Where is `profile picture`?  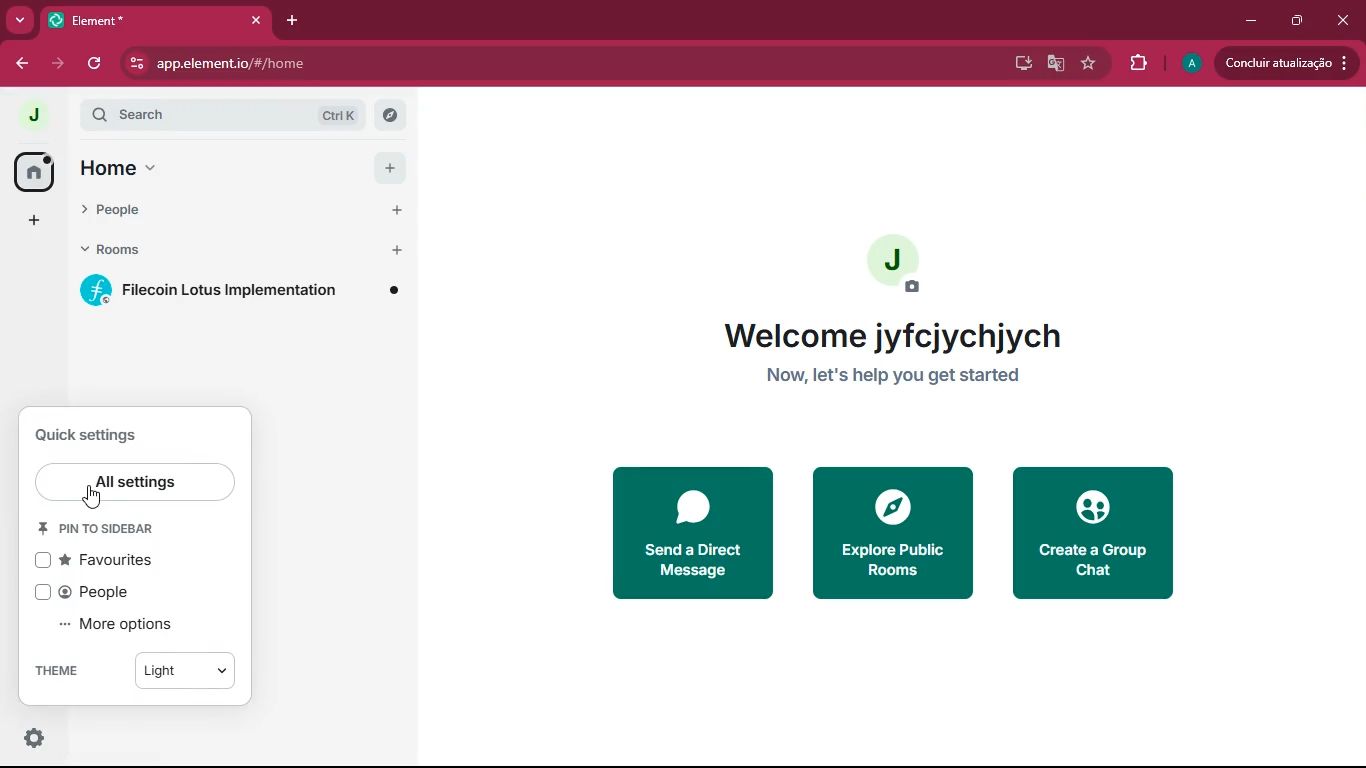
profile picture is located at coordinates (33, 115).